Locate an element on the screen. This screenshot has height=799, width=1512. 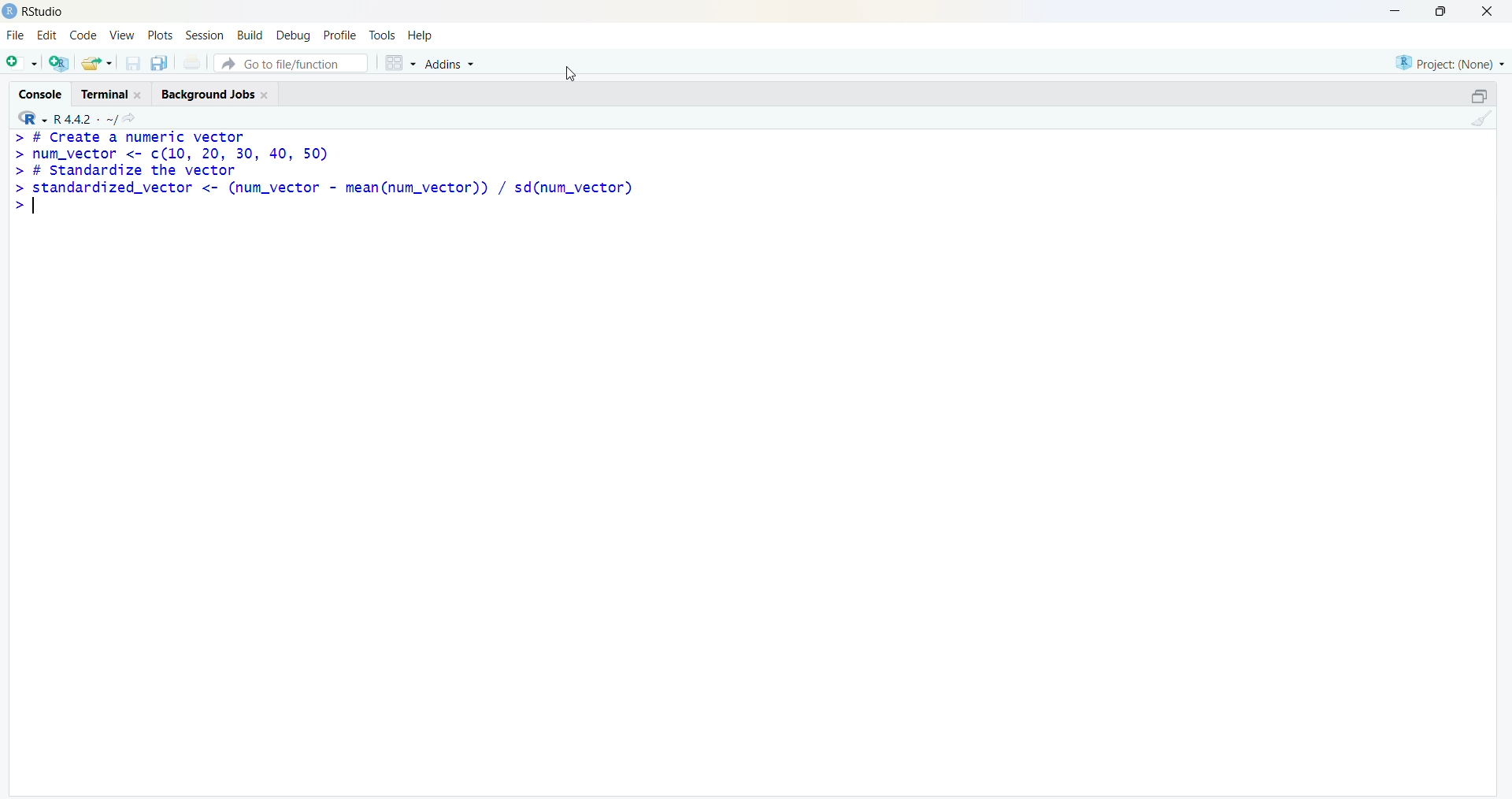
edit is located at coordinates (47, 35).